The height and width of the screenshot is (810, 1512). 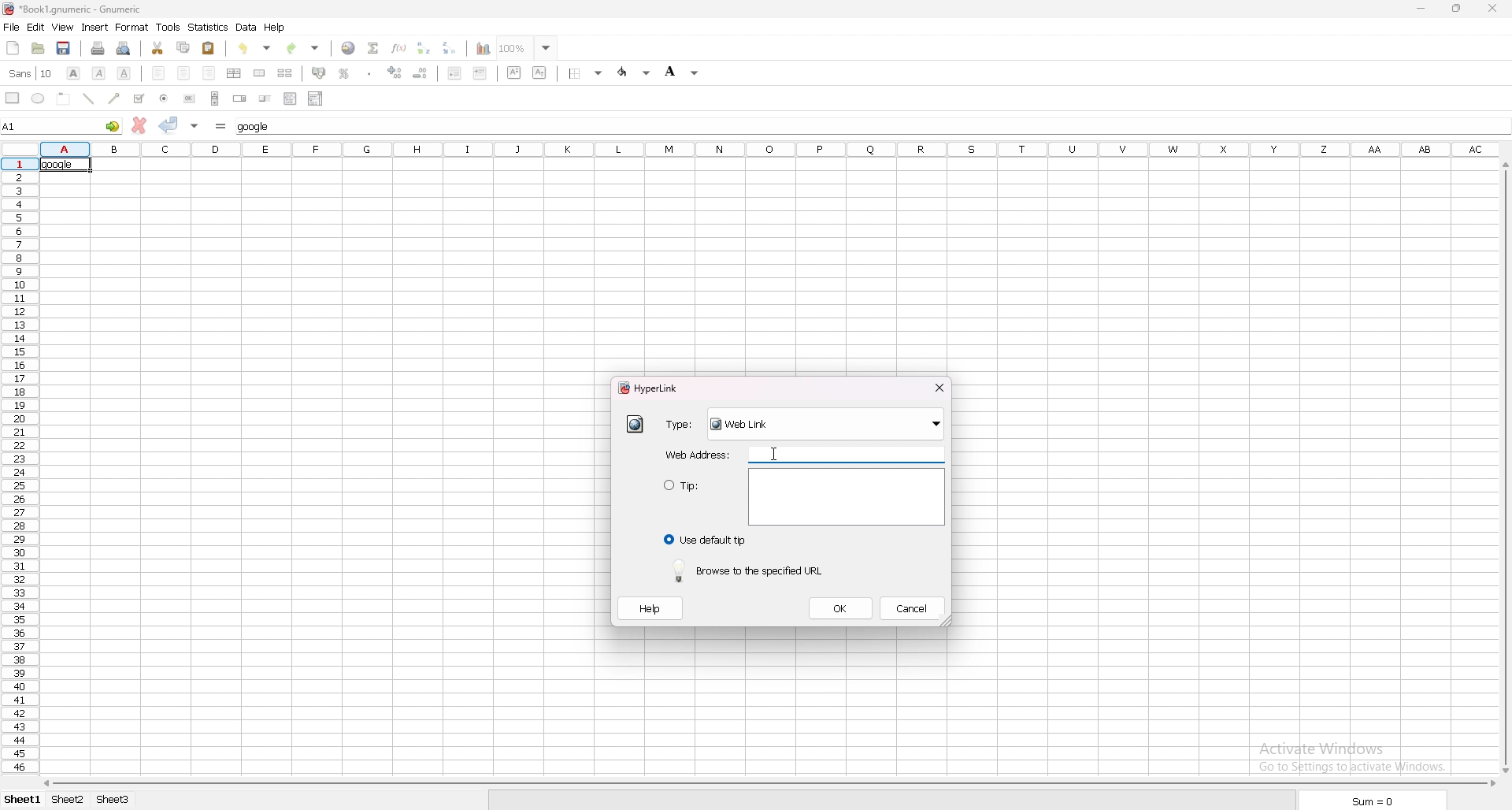 I want to click on undo, so click(x=256, y=48).